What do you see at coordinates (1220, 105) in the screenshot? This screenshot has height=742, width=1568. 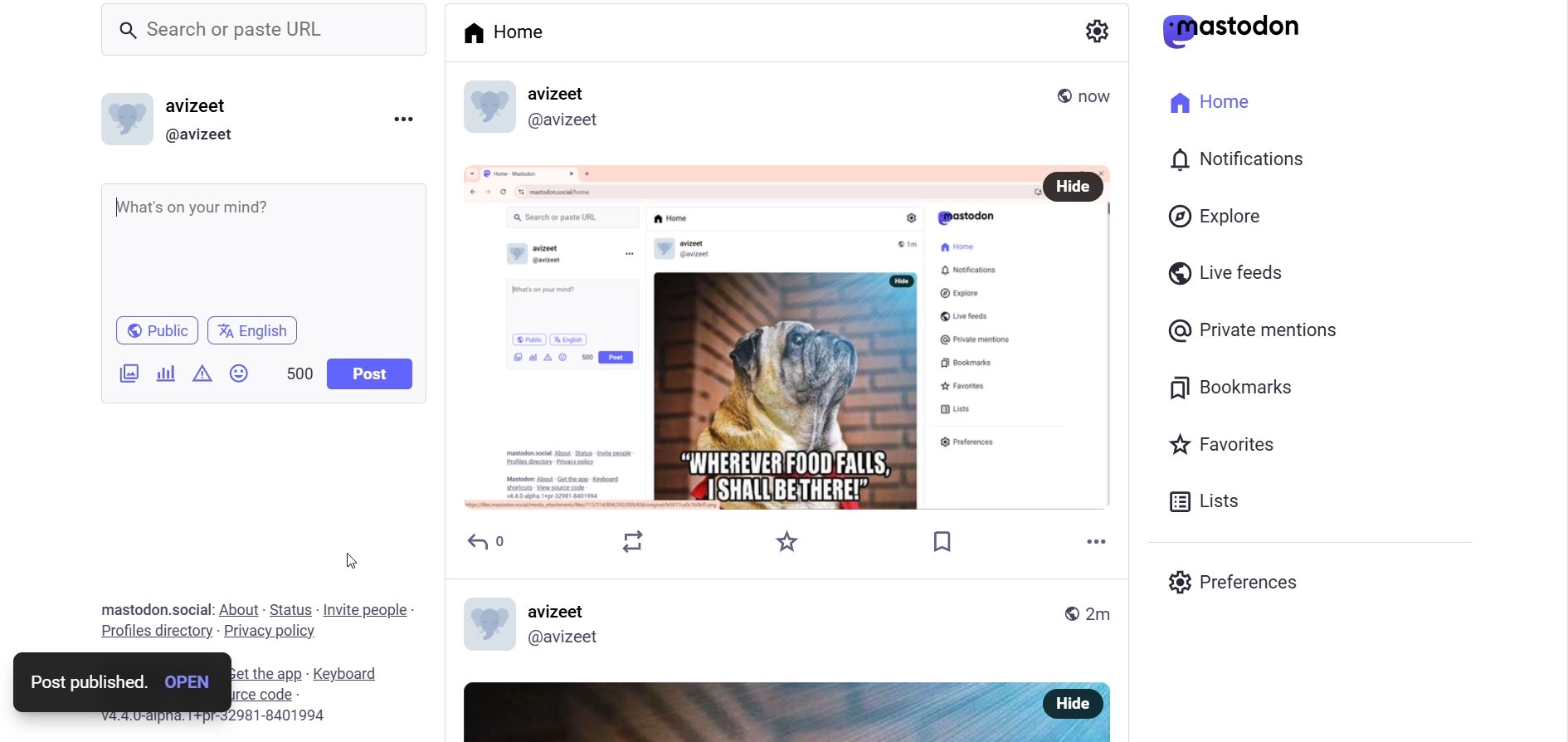 I see `home` at bounding box center [1220, 105].